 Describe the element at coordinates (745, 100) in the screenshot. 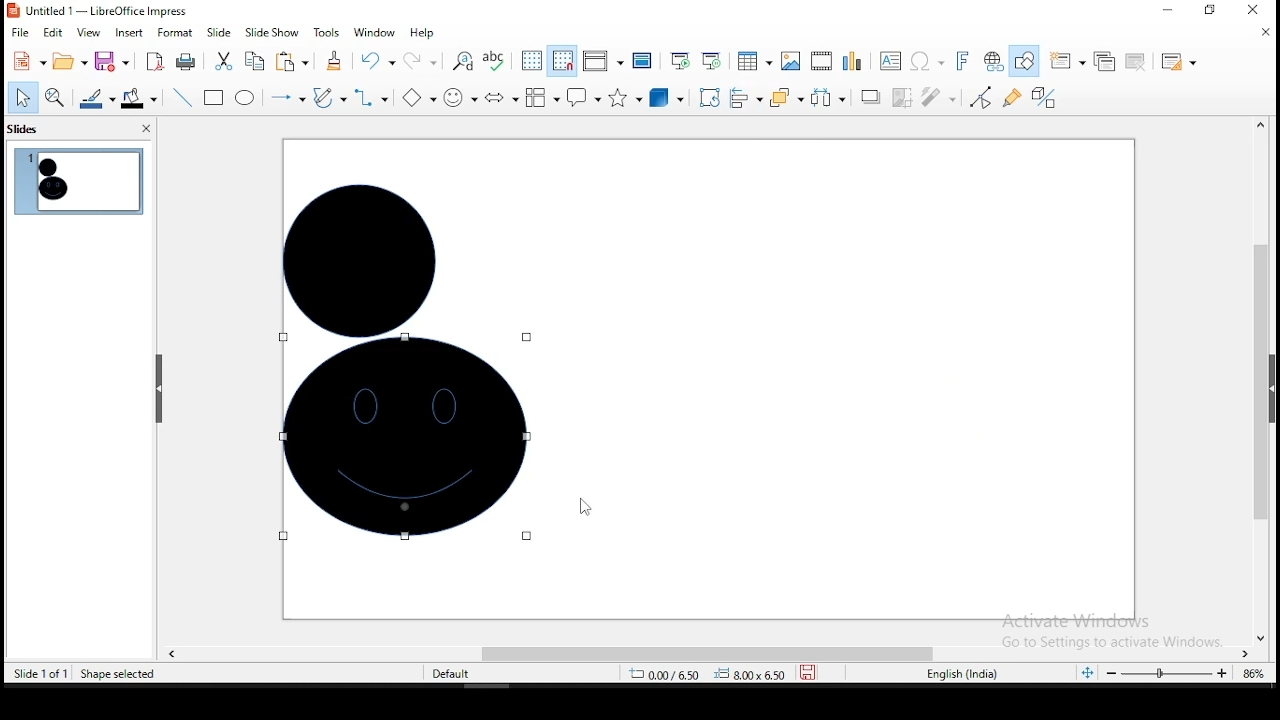

I see `align objects` at that location.